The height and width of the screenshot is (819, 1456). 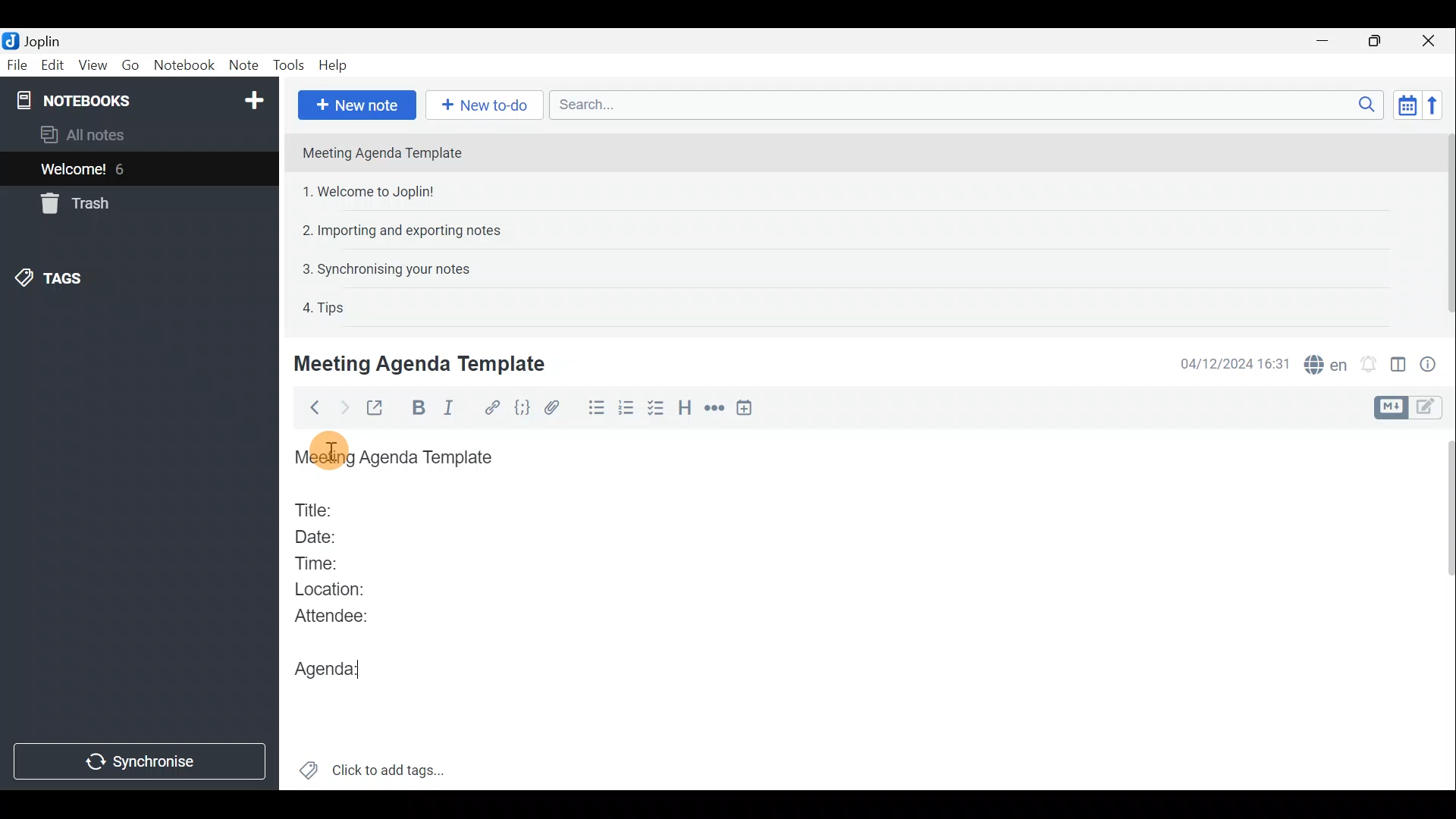 What do you see at coordinates (90, 67) in the screenshot?
I see `View` at bounding box center [90, 67].